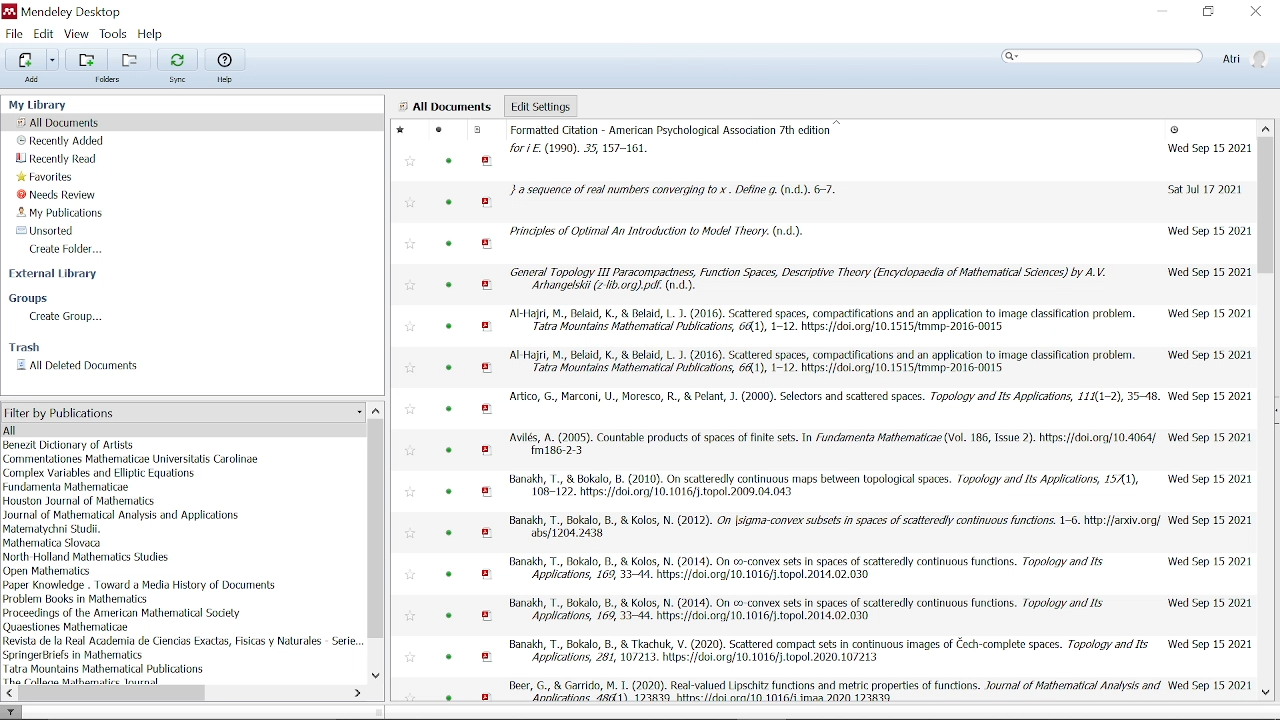  What do you see at coordinates (36, 80) in the screenshot?
I see `Add` at bounding box center [36, 80].